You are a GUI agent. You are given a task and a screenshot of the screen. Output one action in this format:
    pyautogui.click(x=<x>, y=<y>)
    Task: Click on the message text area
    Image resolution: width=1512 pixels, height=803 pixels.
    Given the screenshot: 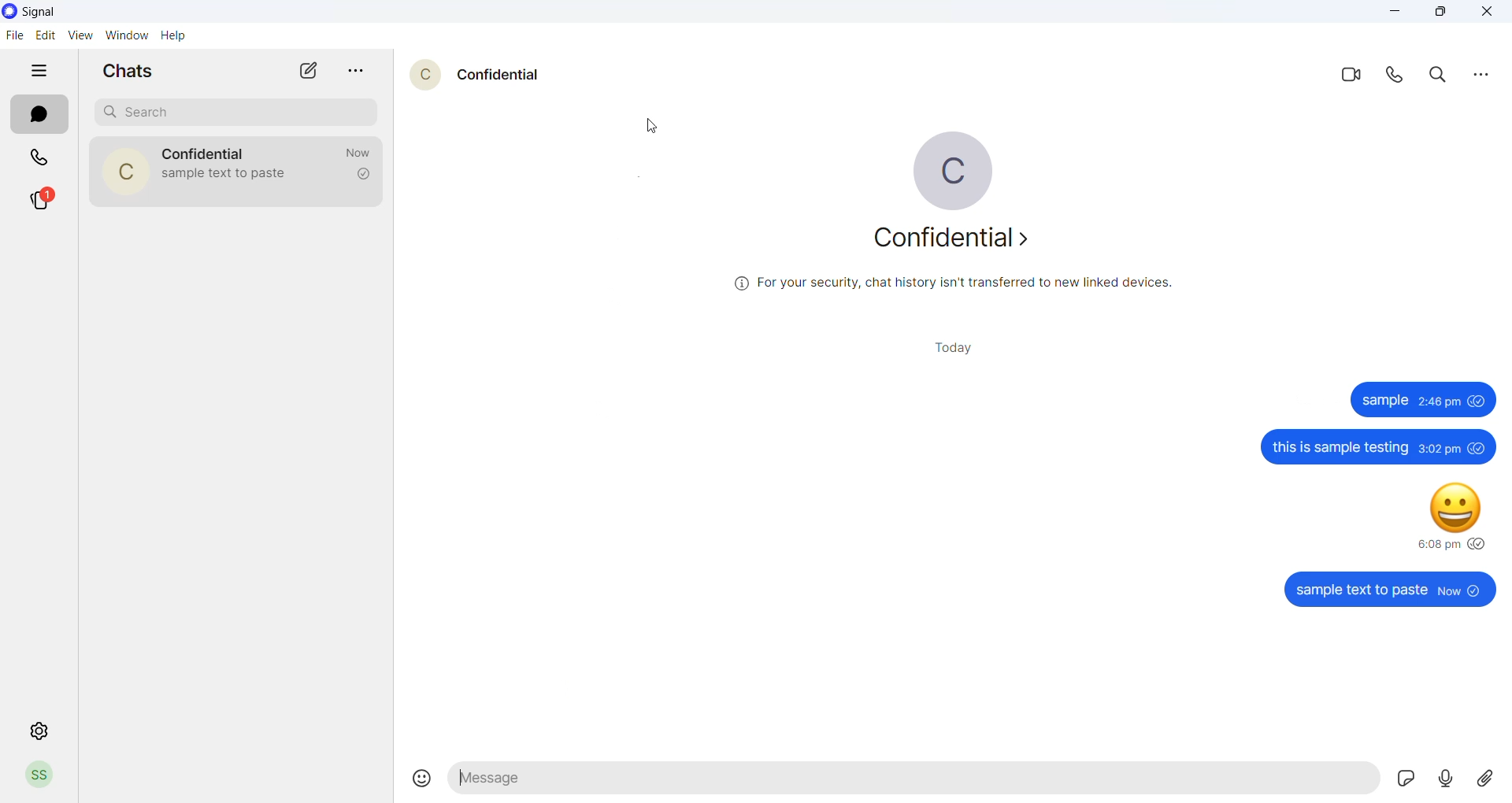 What is the action you would take?
    pyautogui.click(x=917, y=776)
    